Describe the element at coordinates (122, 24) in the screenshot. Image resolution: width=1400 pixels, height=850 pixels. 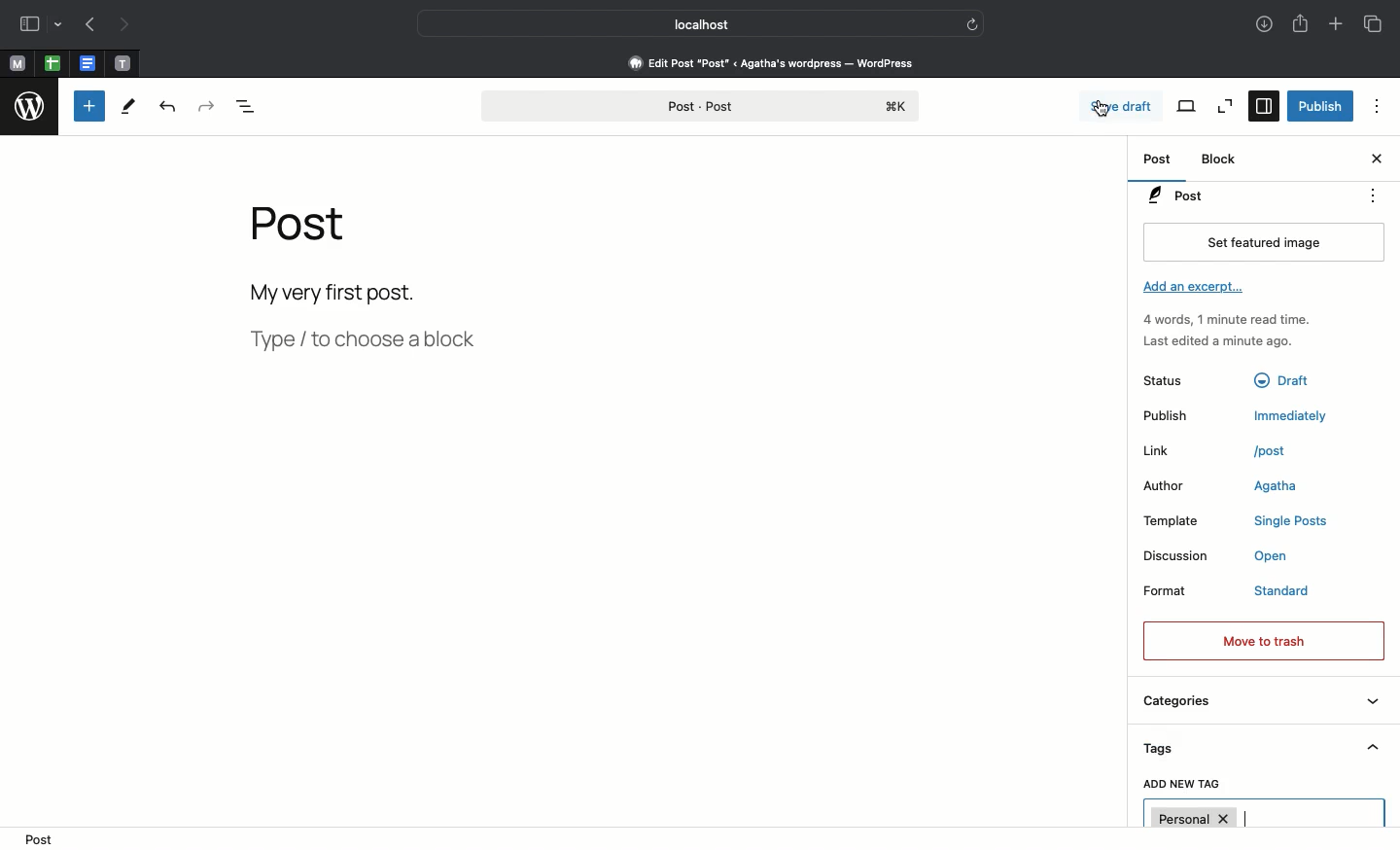
I see `Next page` at that location.